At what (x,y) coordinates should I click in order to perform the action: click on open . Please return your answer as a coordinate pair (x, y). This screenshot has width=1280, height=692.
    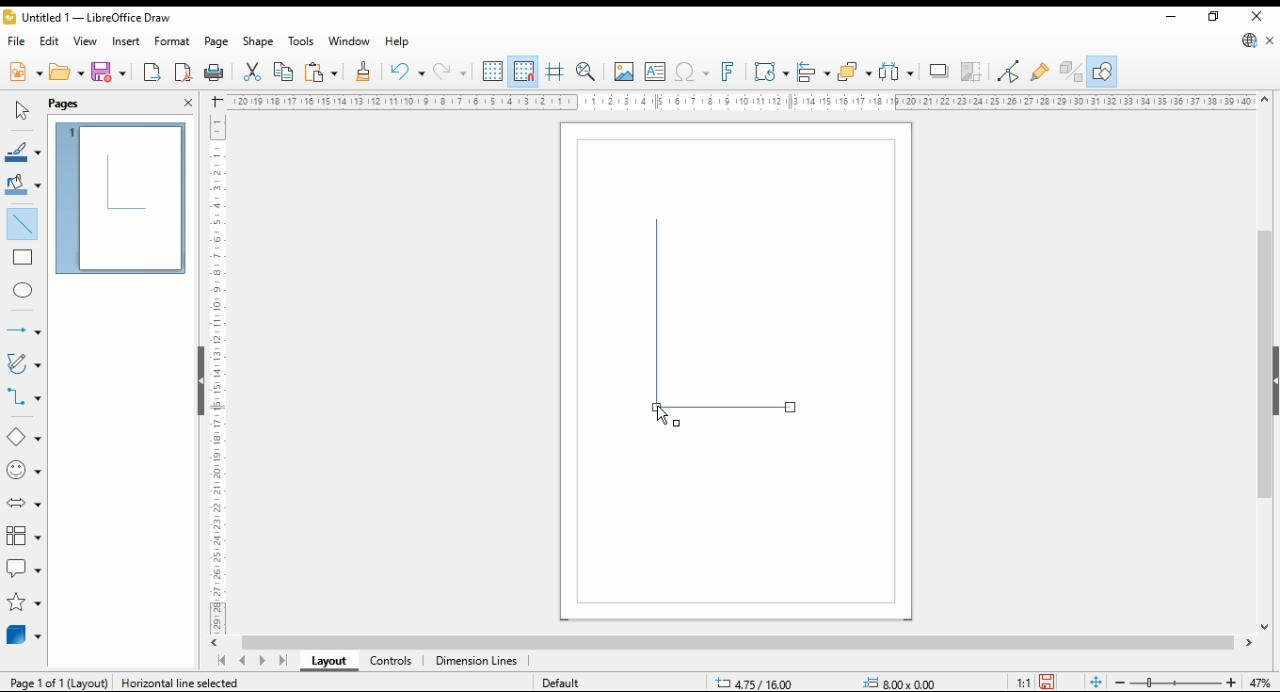
    Looking at the image, I should click on (67, 72).